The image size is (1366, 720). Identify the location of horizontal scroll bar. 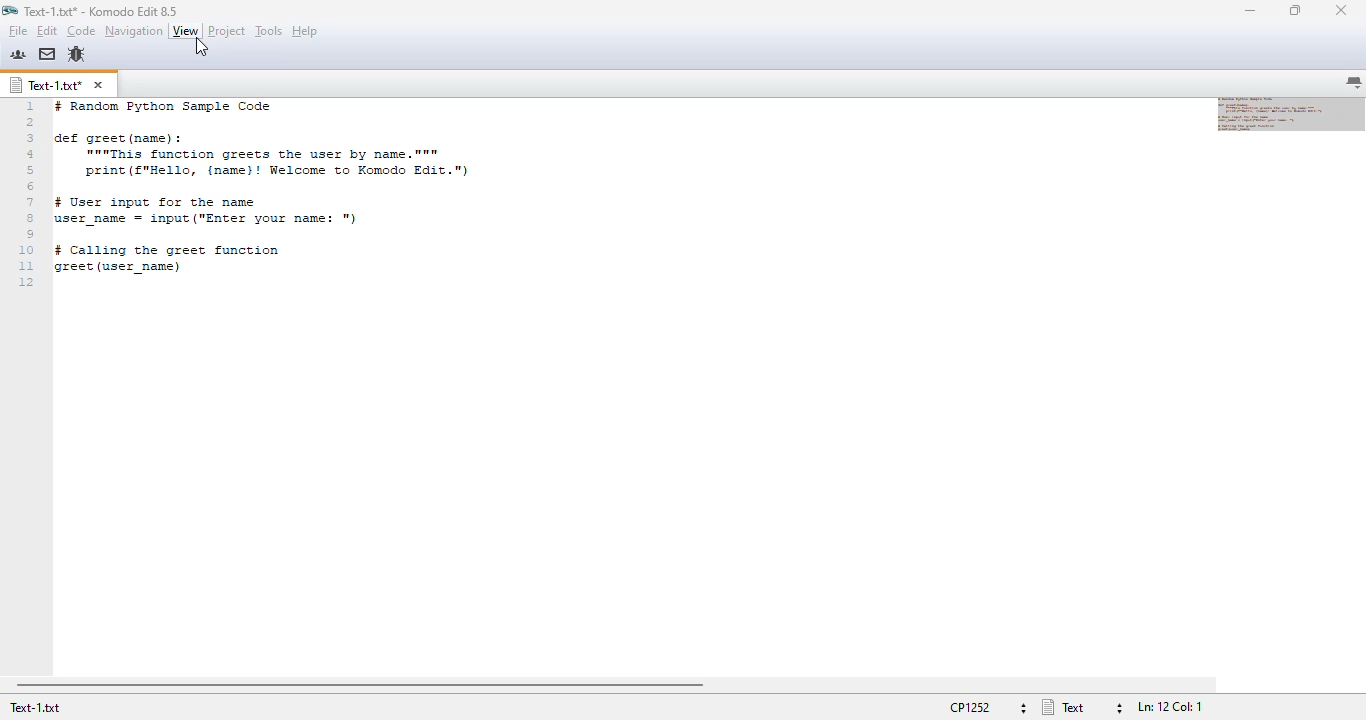
(359, 686).